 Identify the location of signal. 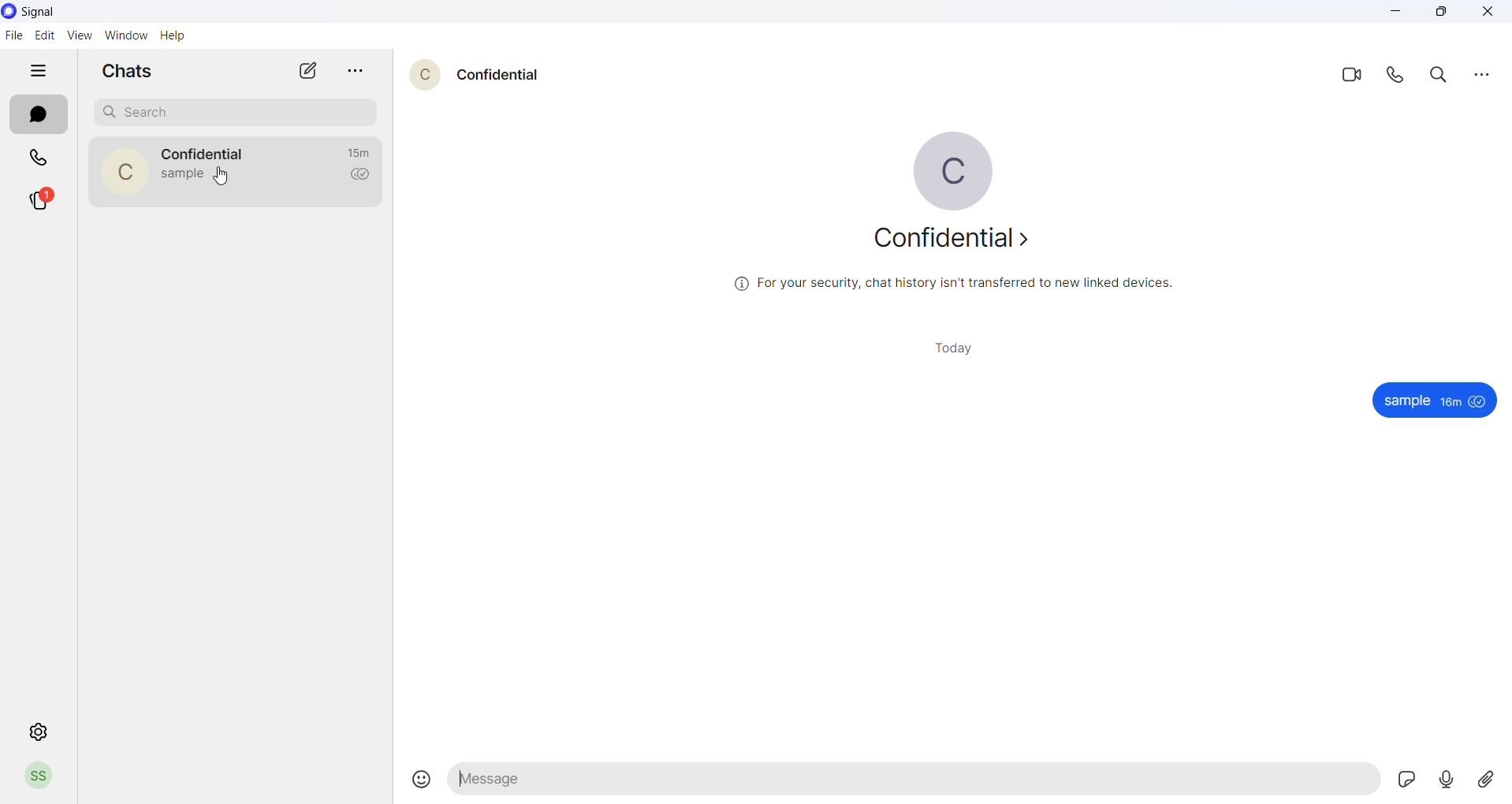
(40, 13).